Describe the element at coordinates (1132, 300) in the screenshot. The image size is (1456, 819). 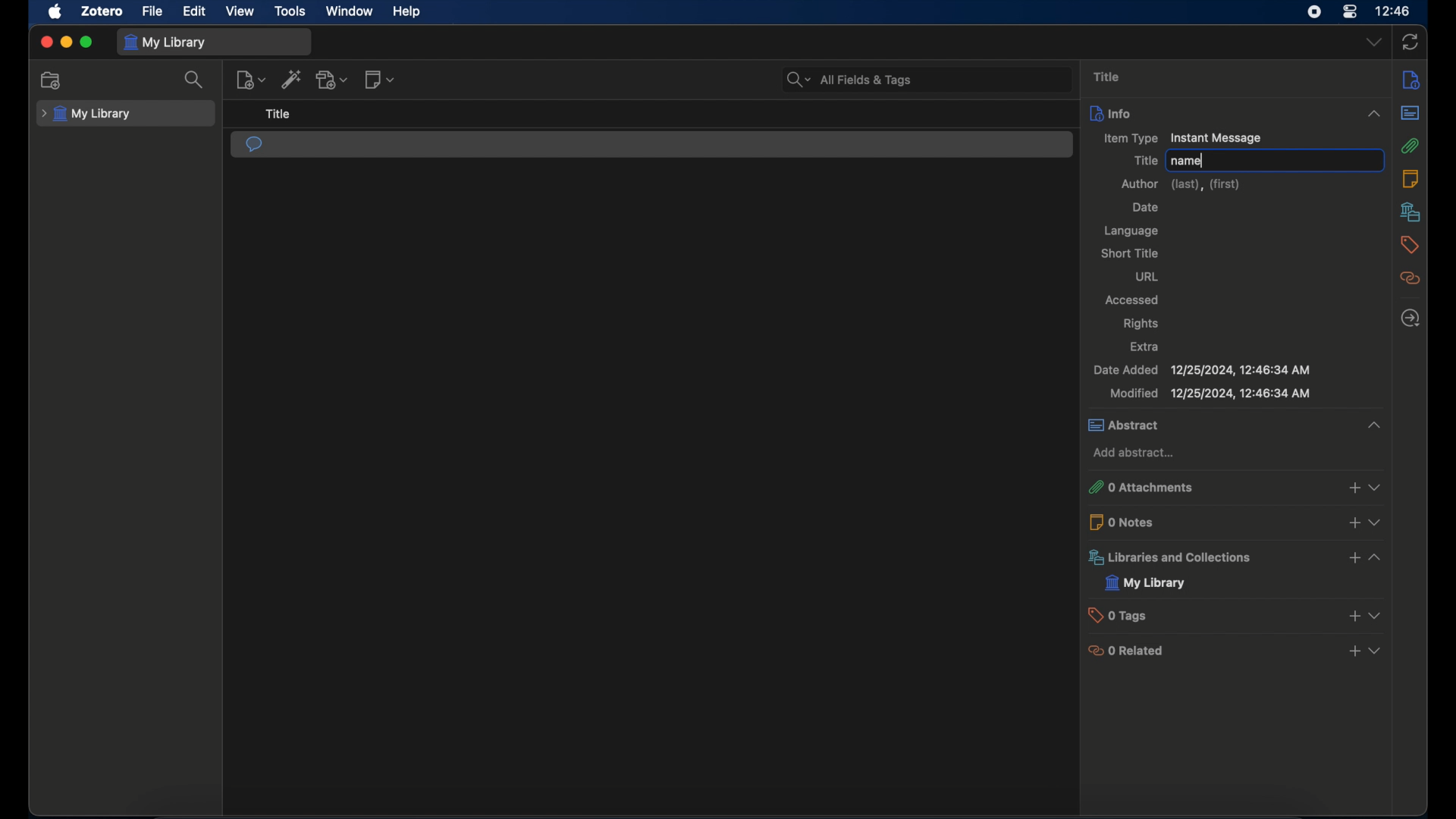
I see `accessed` at that location.